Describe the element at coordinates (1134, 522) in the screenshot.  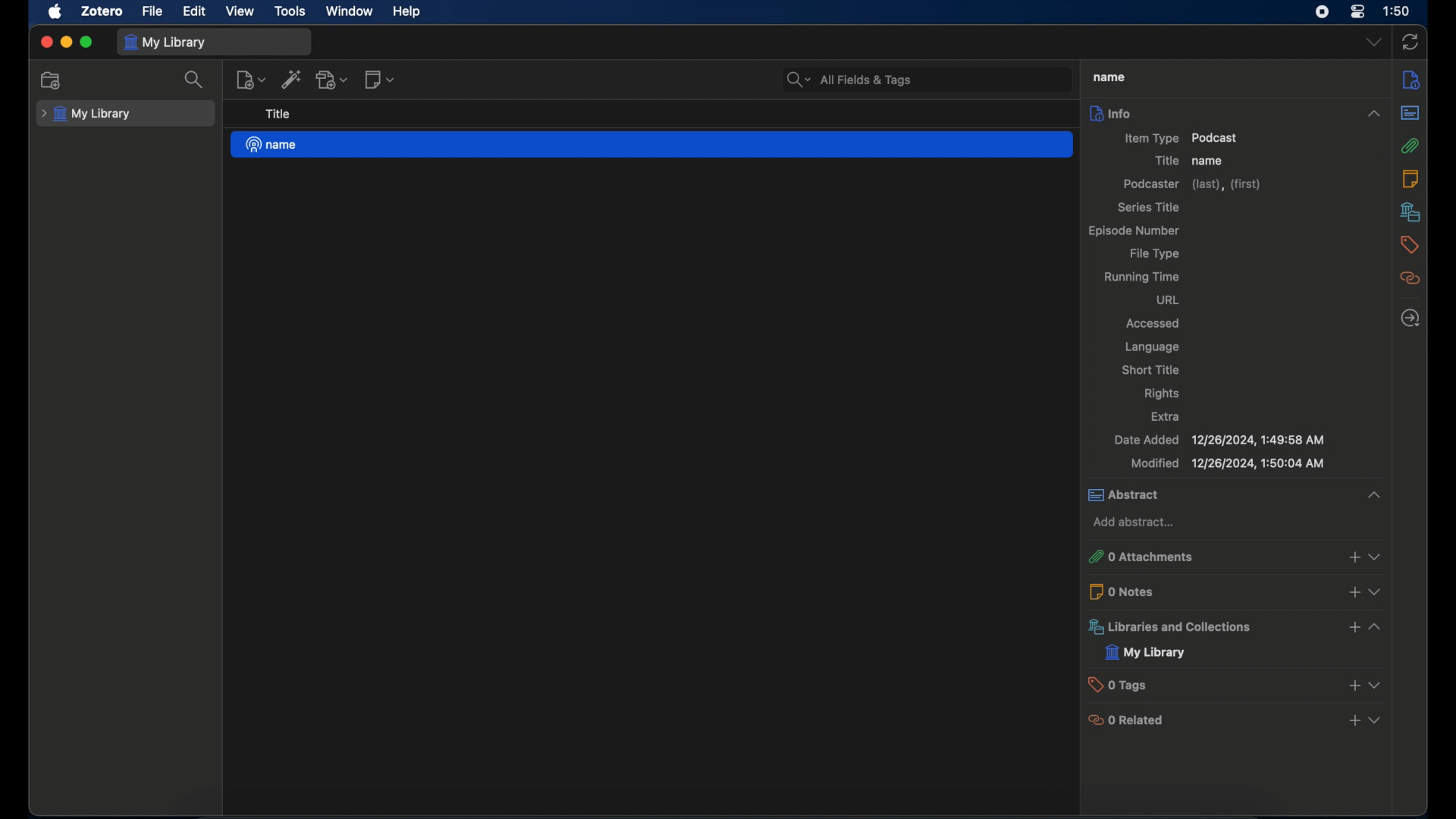
I see `add abstract` at that location.